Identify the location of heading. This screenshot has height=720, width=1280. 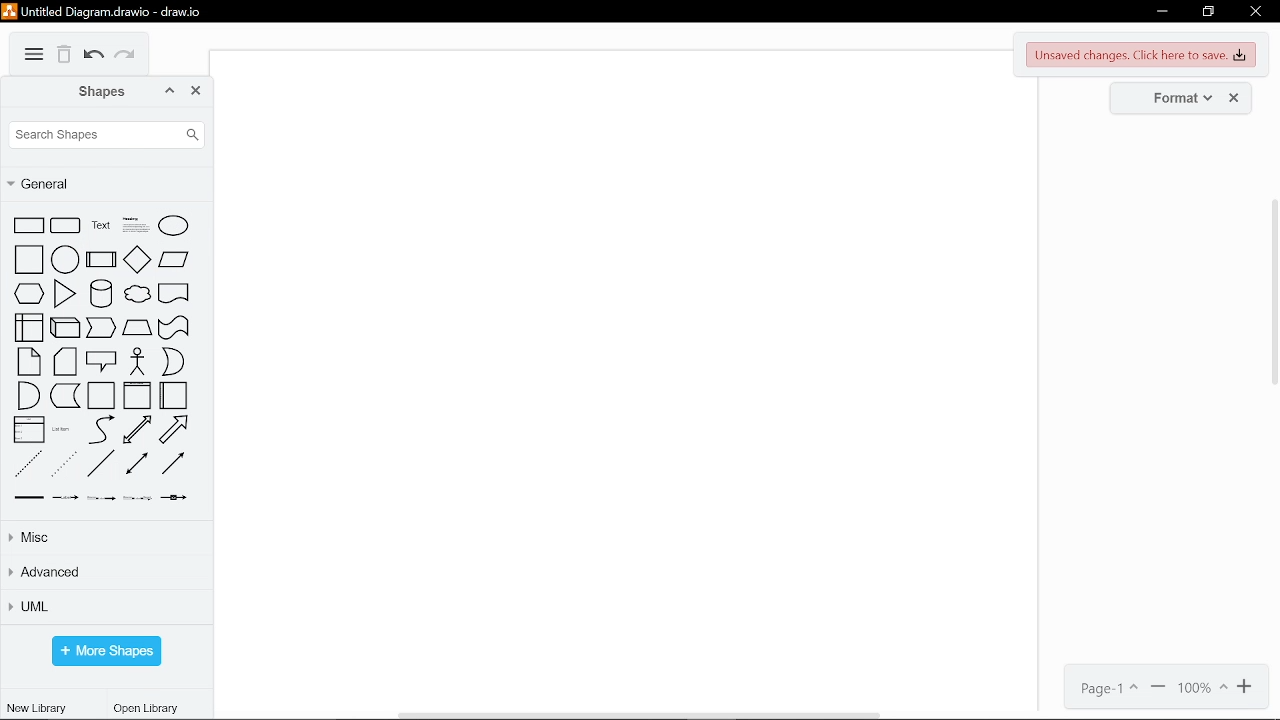
(133, 227).